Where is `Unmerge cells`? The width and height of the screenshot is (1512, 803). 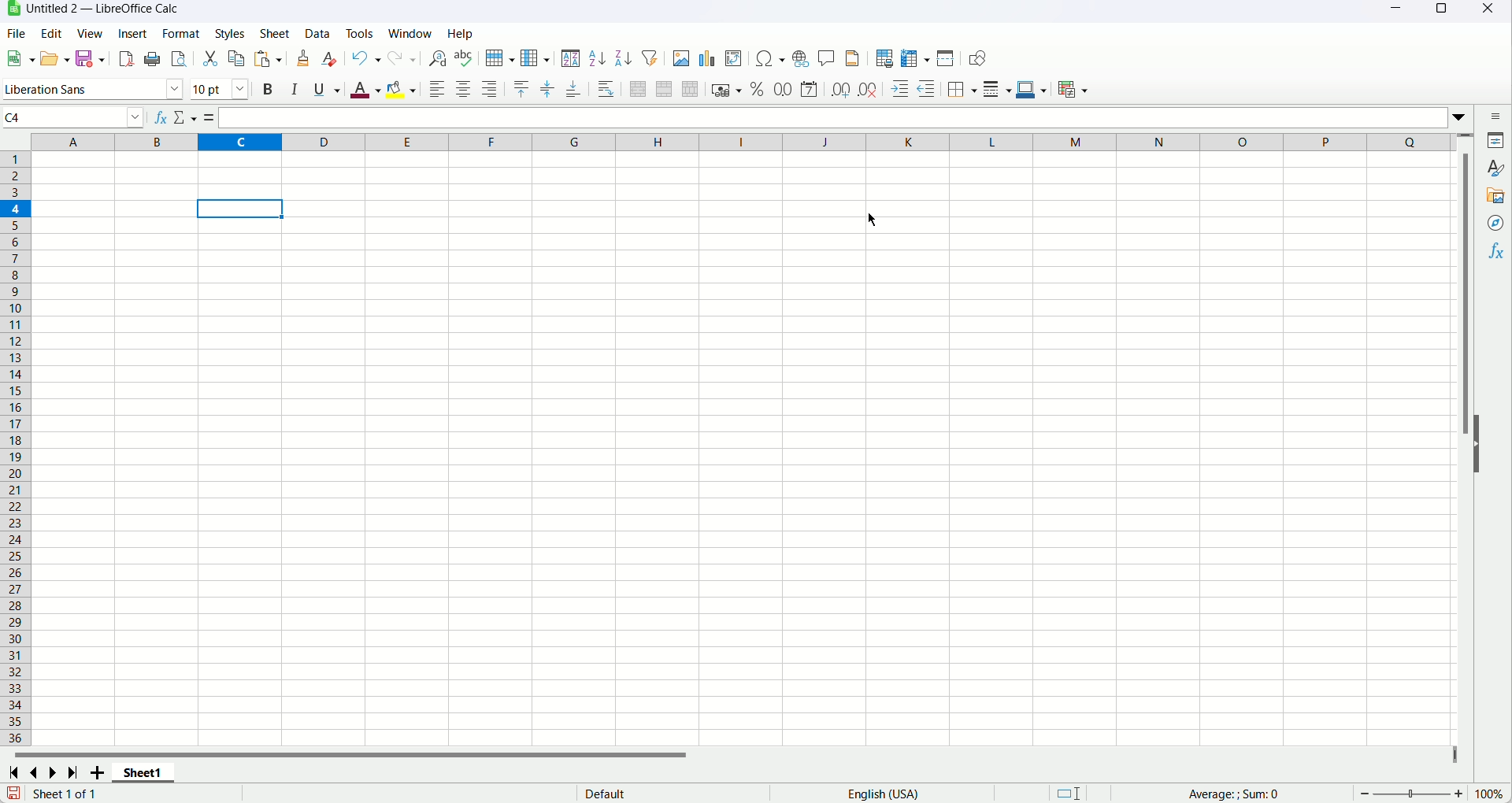
Unmerge cells is located at coordinates (691, 89).